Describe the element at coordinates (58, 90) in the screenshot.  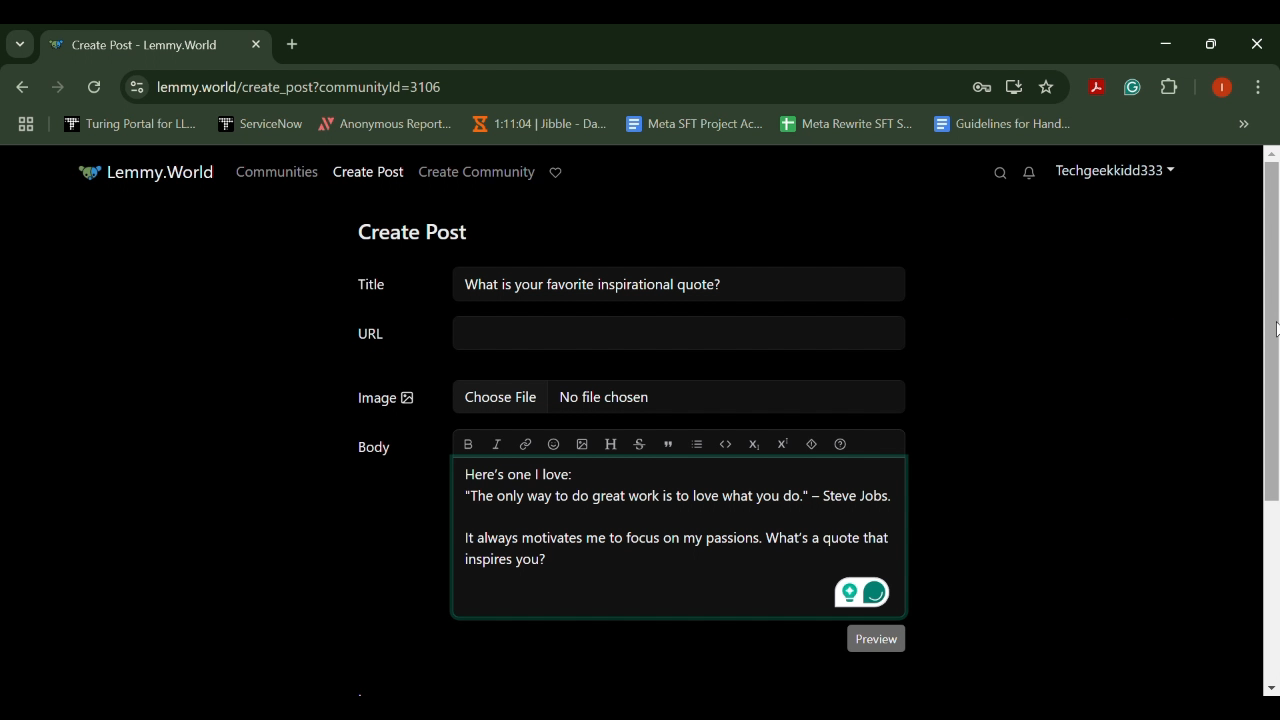
I see `Next Webpage` at that location.